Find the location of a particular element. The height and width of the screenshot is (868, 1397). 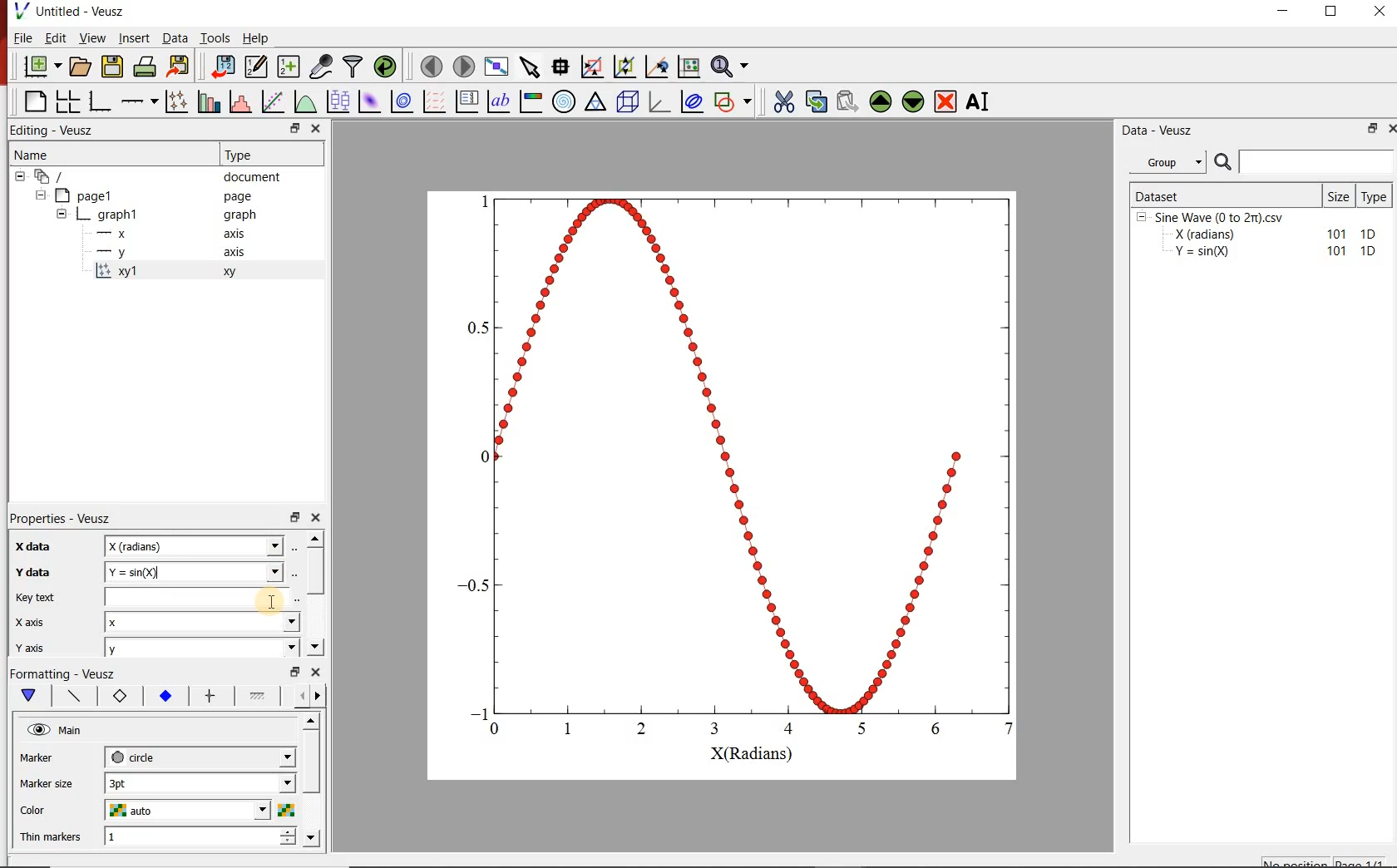

Min is located at coordinates (30, 570).